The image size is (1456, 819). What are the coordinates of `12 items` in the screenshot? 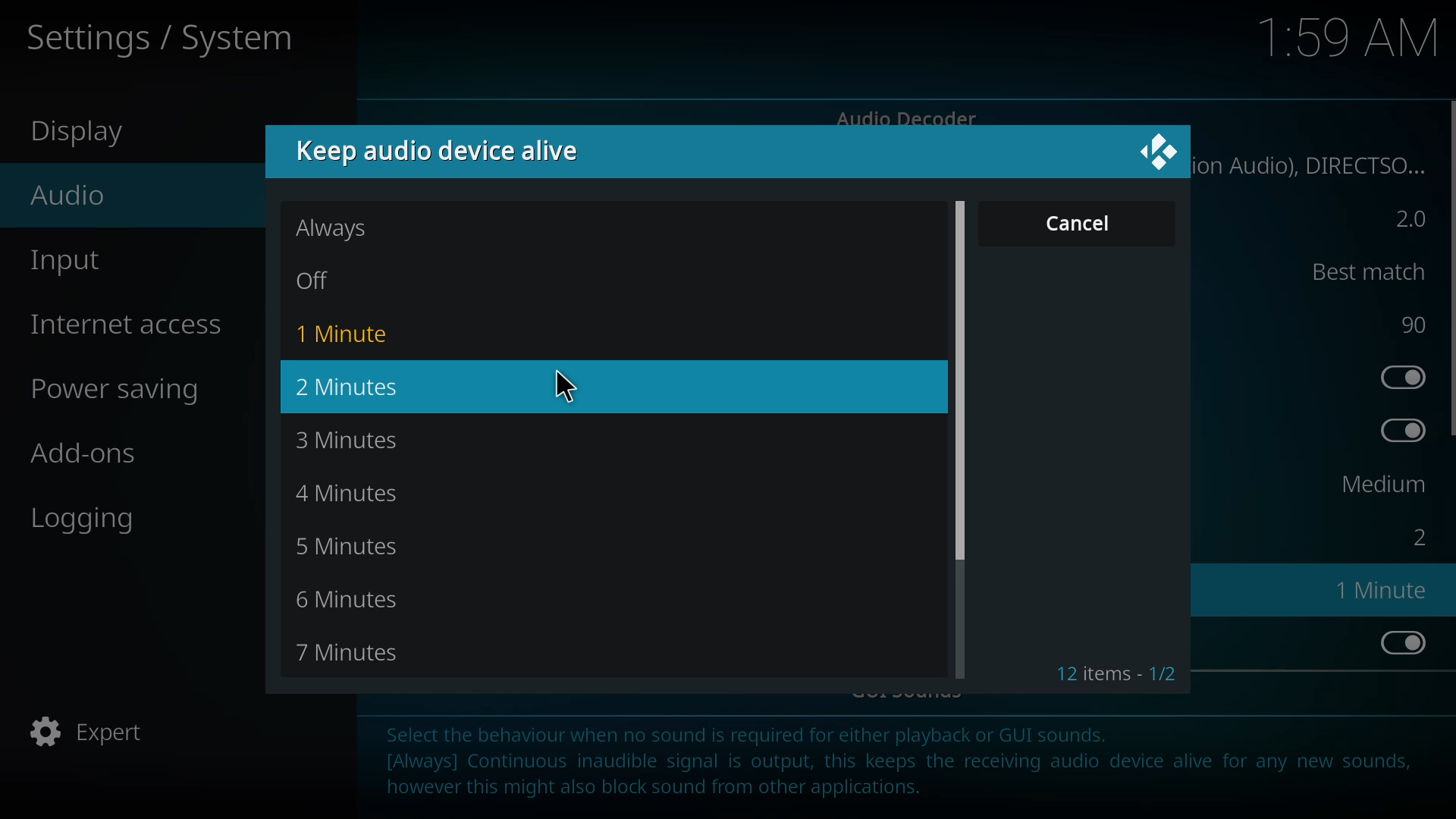 It's located at (1117, 674).